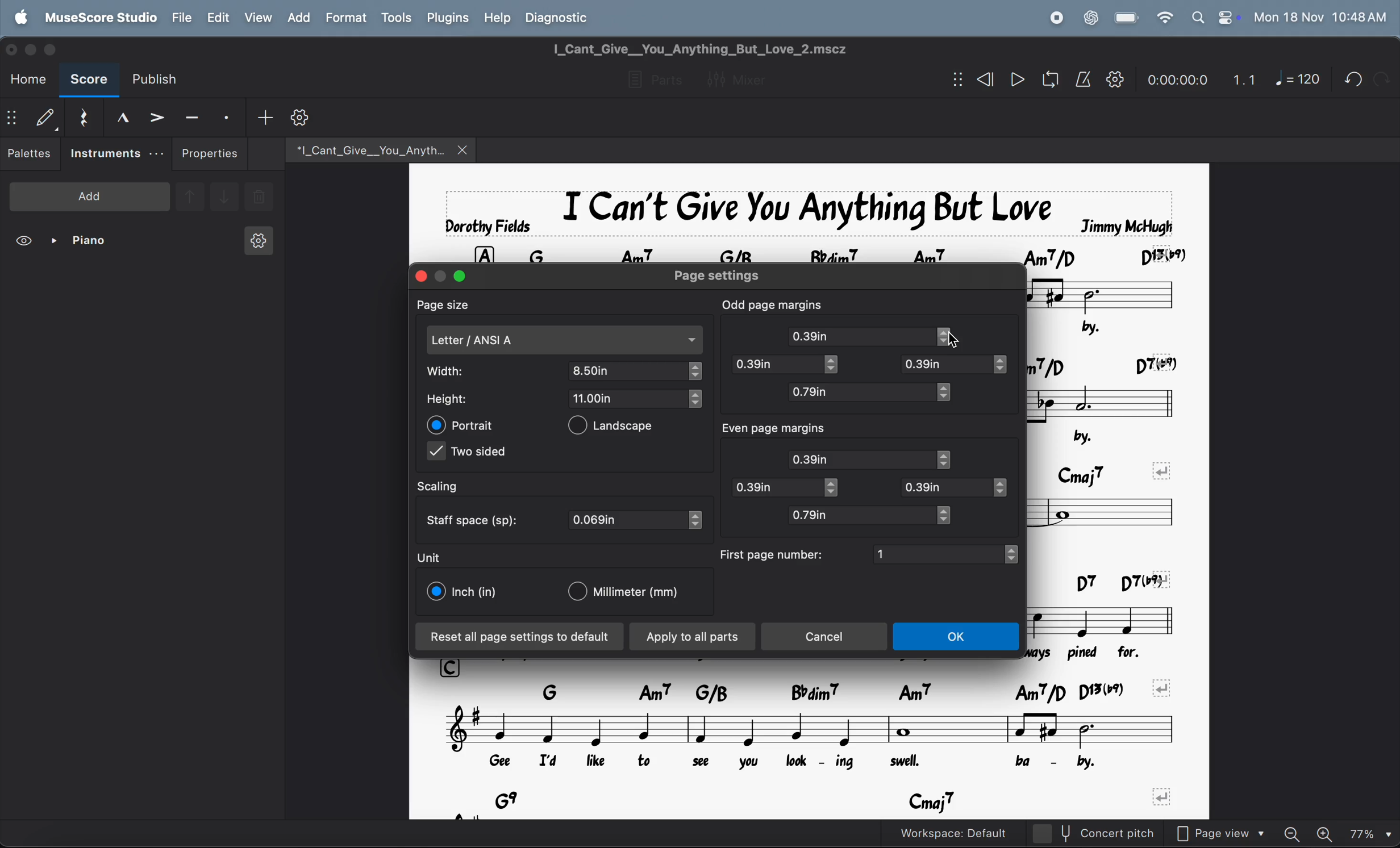 This screenshot has height=848, width=1400. What do you see at coordinates (430, 557) in the screenshot?
I see `unit` at bounding box center [430, 557].